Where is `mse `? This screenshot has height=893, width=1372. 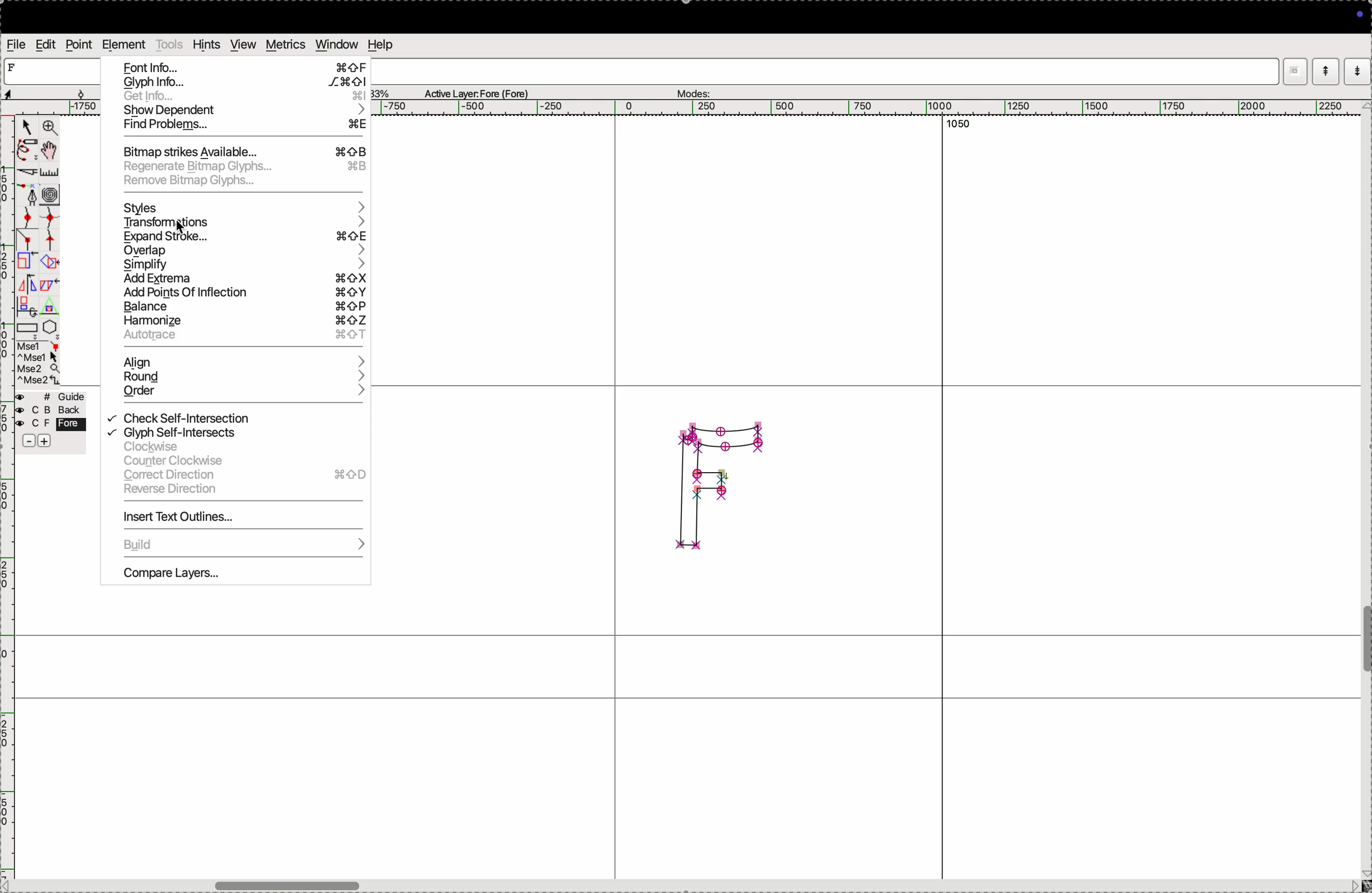
mse  is located at coordinates (40, 363).